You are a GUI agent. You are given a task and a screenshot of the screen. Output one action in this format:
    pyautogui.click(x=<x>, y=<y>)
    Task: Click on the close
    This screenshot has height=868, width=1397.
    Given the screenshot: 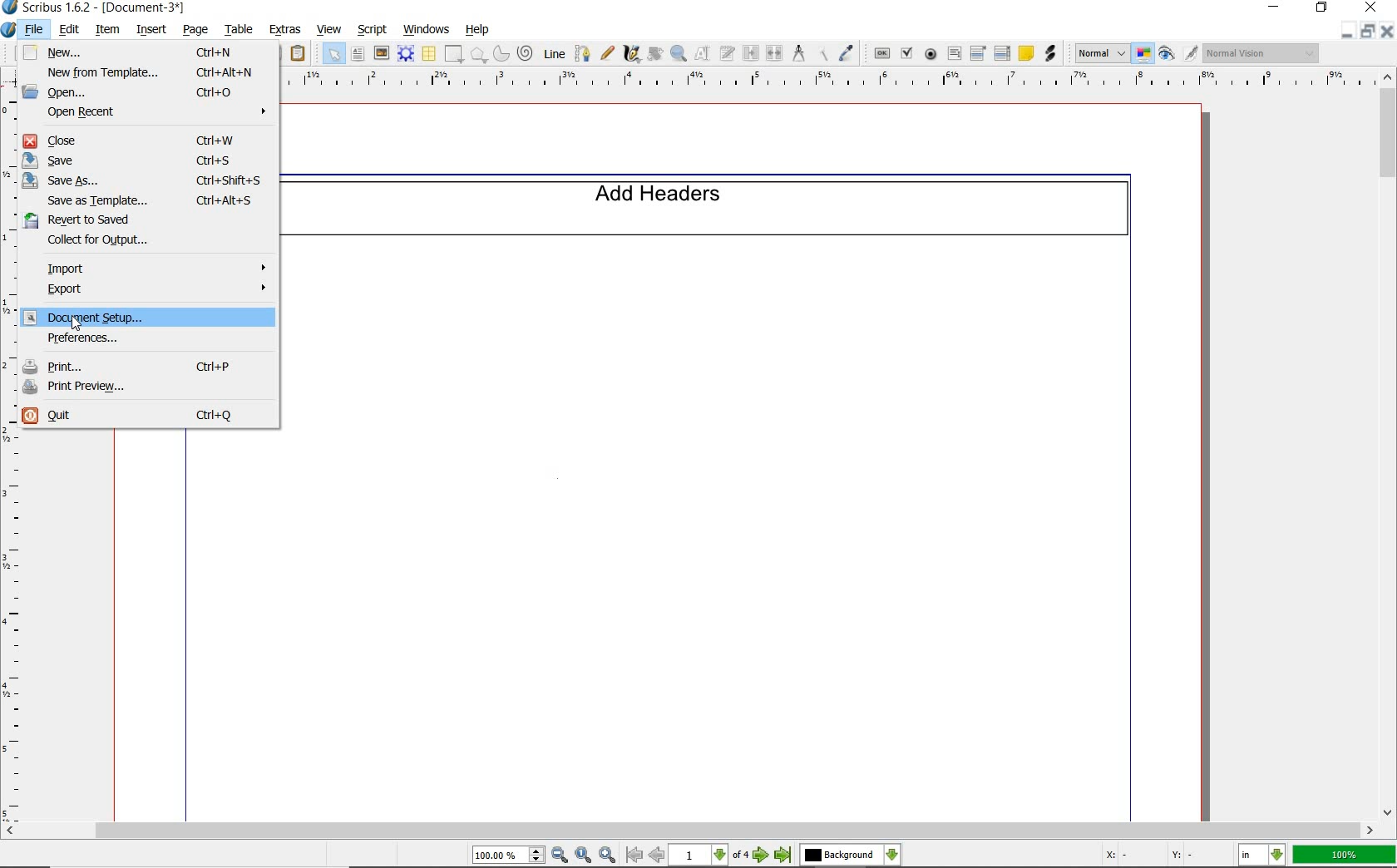 What is the action you would take?
    pyautogui.click(x=151, y=141)
    